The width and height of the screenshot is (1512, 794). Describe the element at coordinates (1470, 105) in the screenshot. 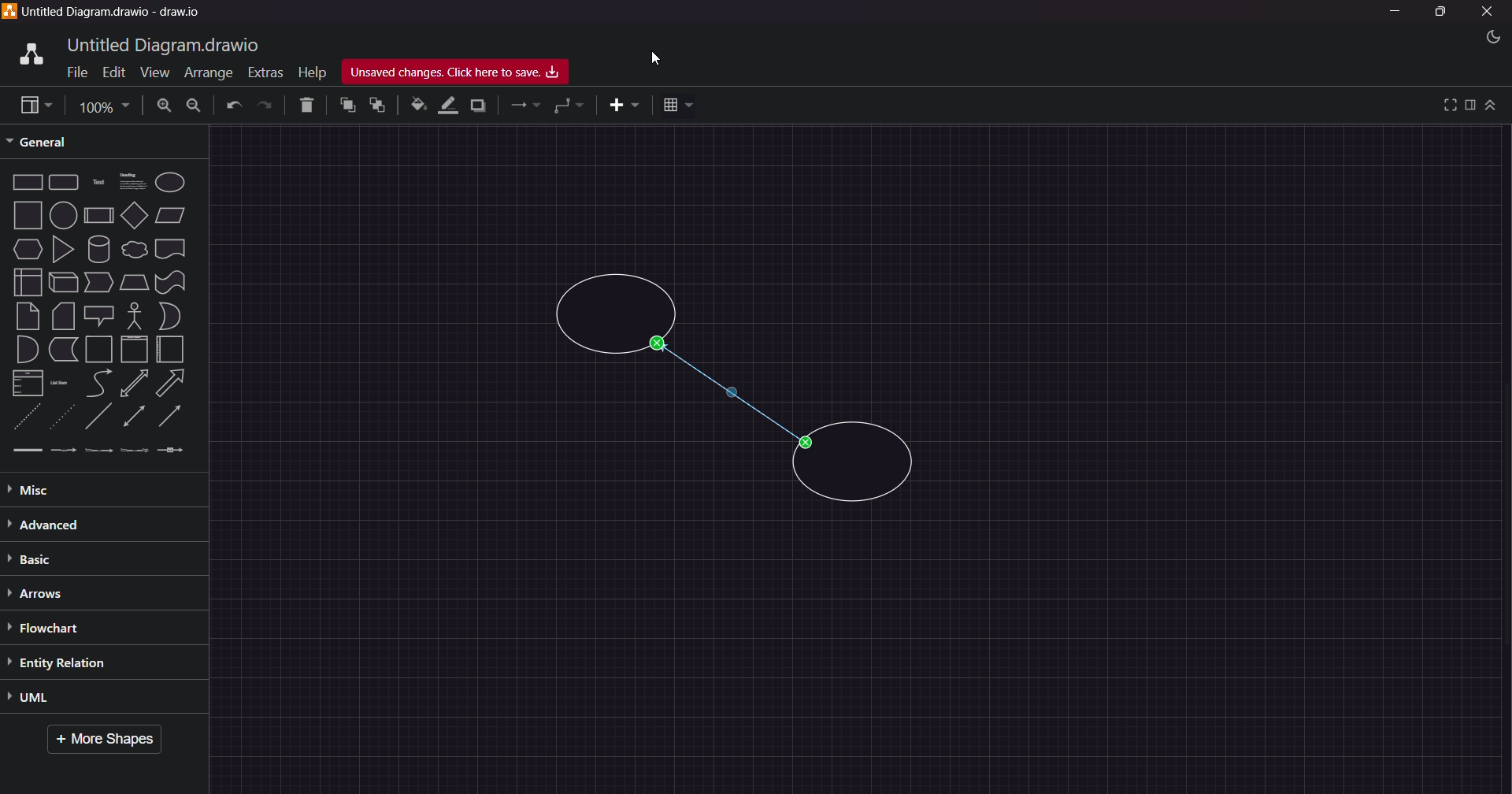

I see `format` at that location.